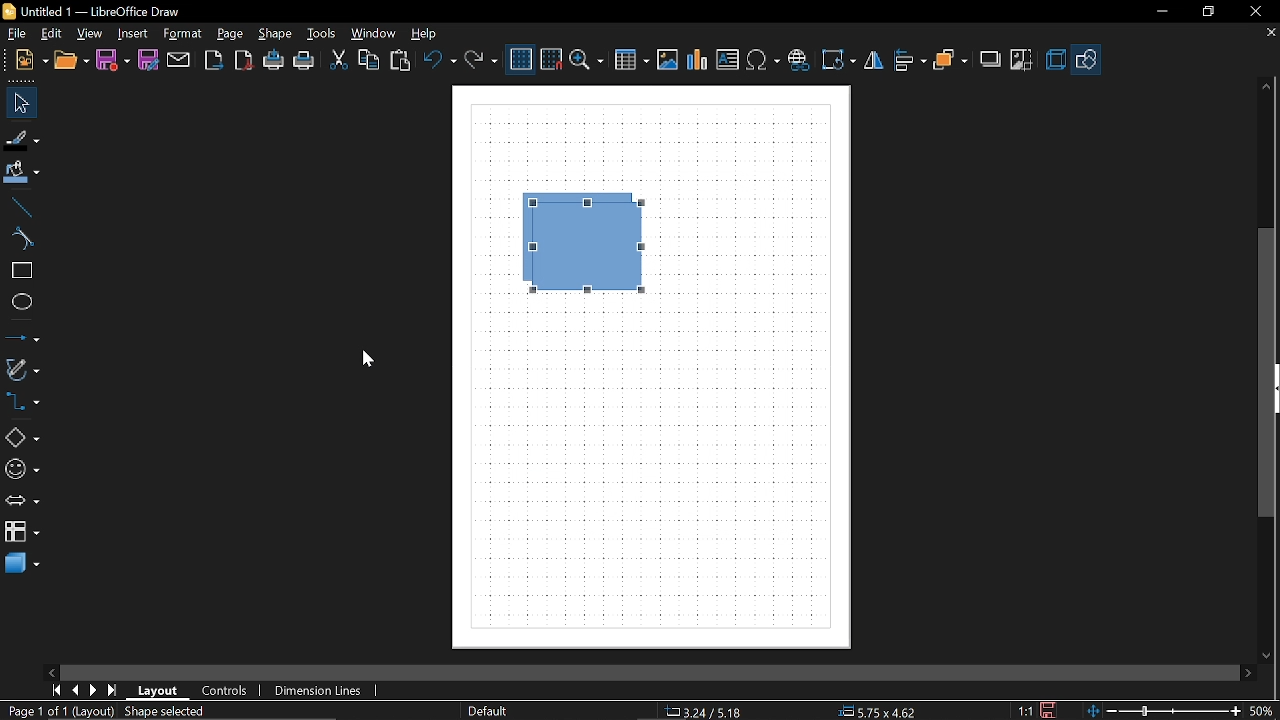 The image size is (1280, 720). I want to click on Horizontal scroll bar, so click(768, 673).